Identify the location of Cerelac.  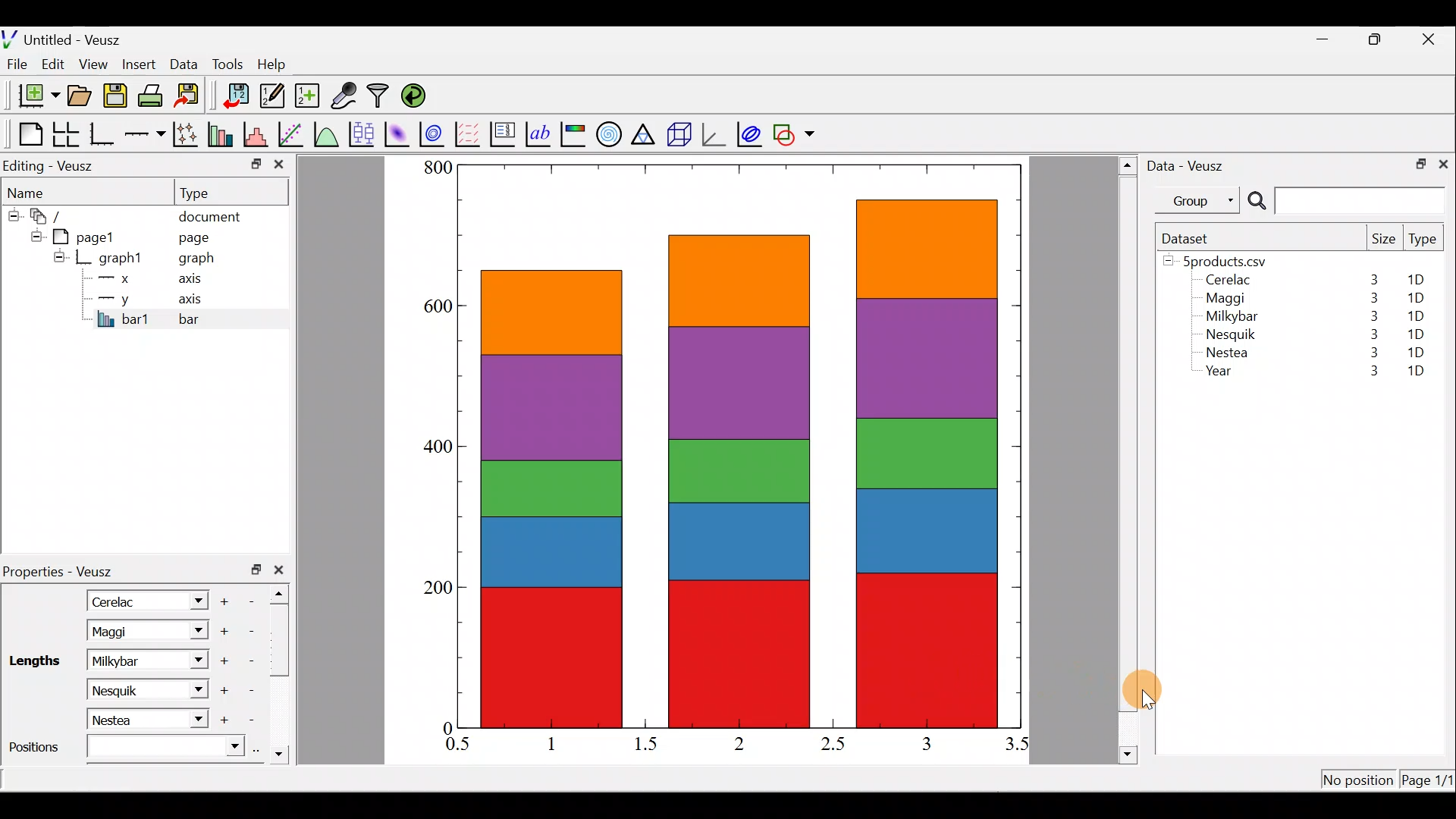
(1225, 281).